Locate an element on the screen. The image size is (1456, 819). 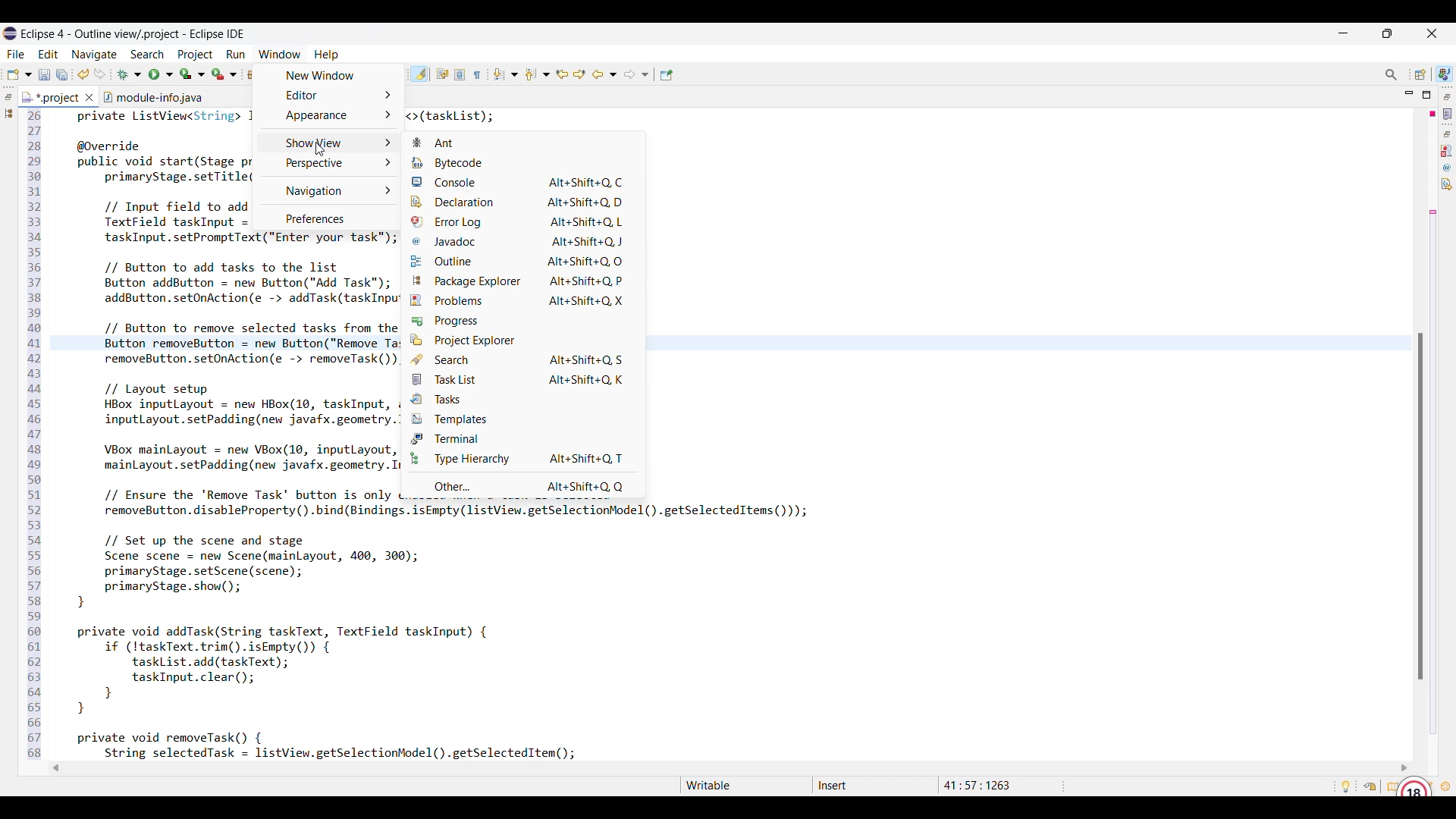
Current tab highlighted is located at coordinates (51, 96).